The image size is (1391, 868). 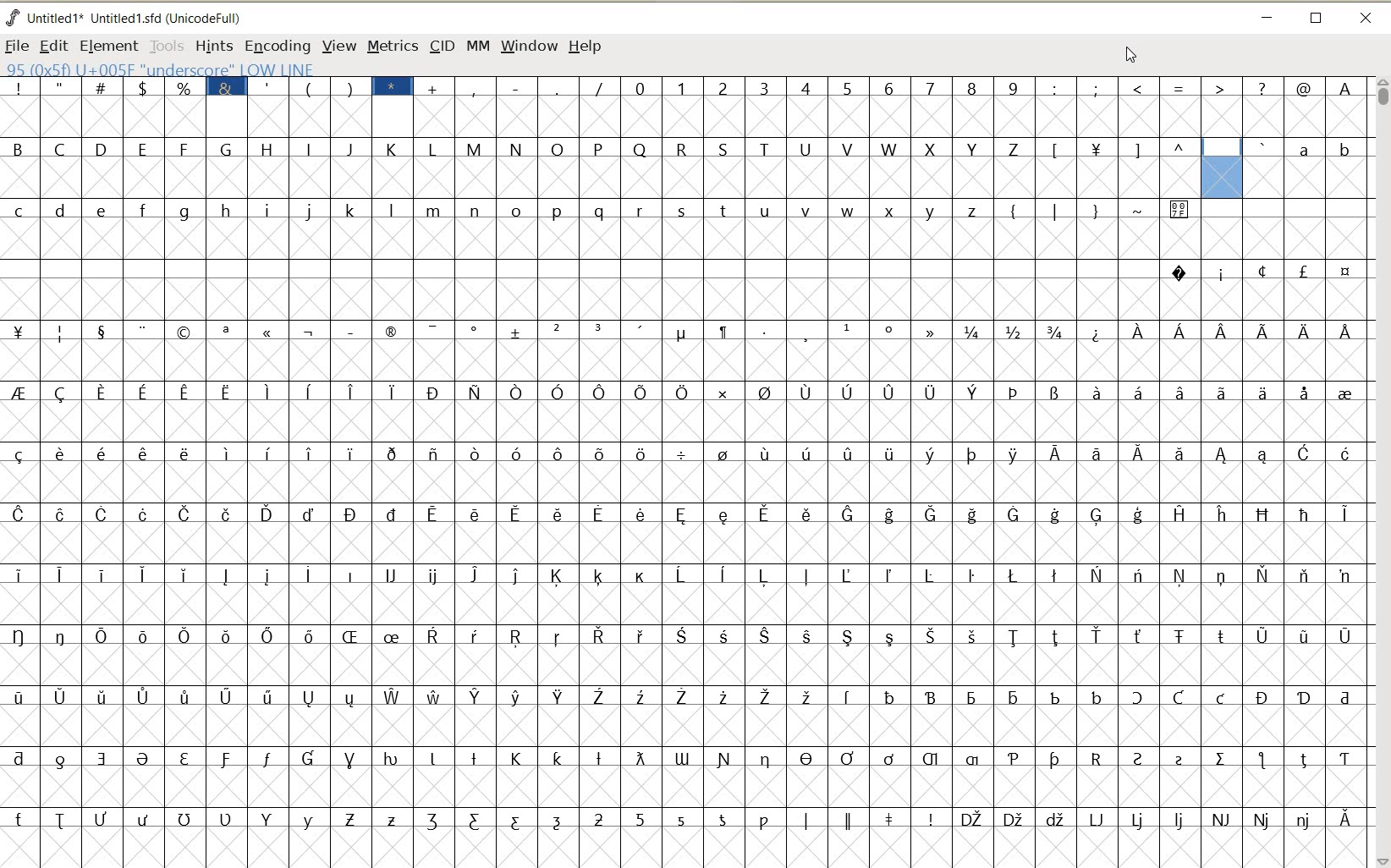 What do you see at coordinates (165, 45) in the screenshot?
I see `TOOLS` at bounding box center [165, 45].